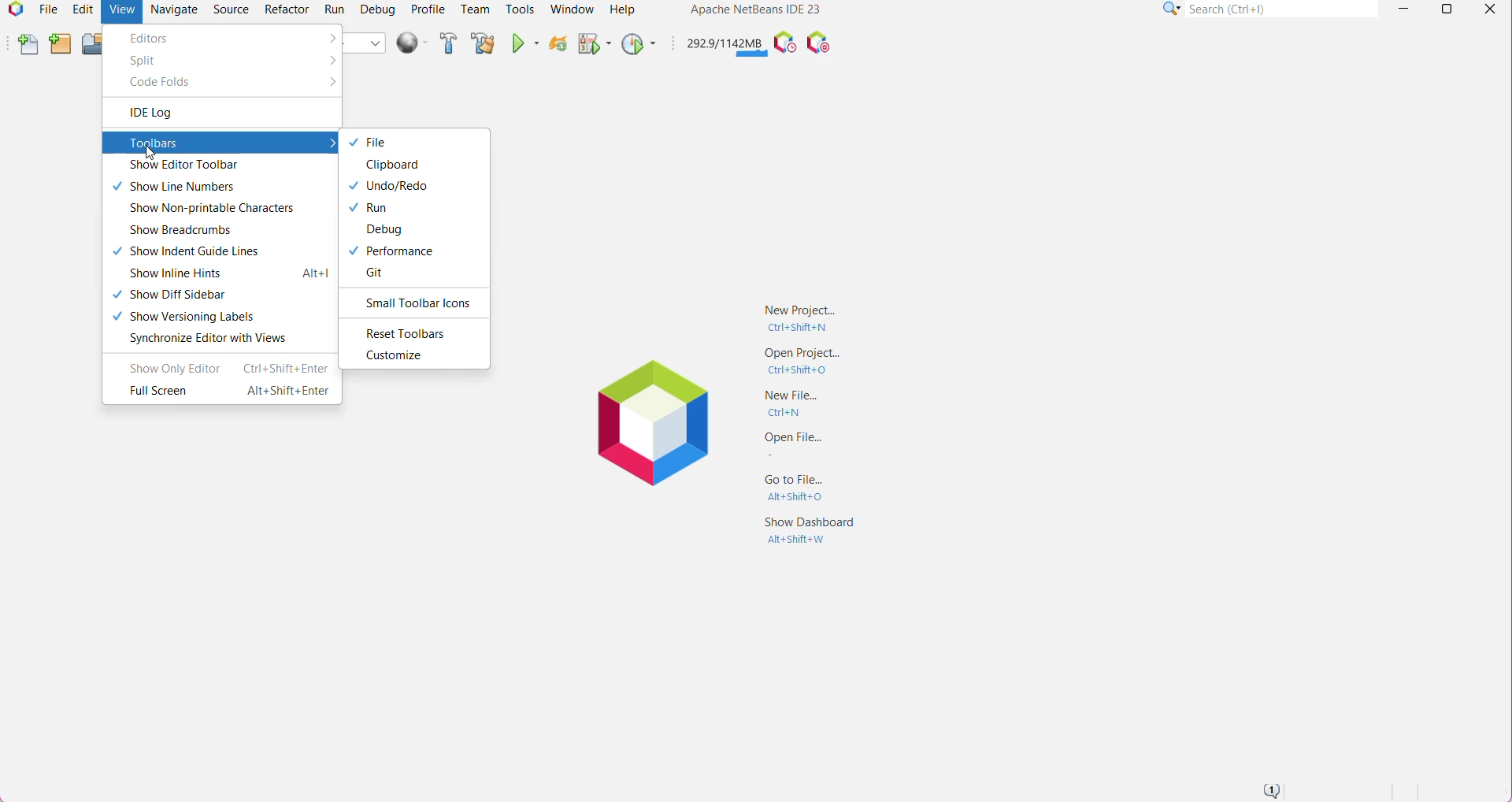 This screenshot has height=802, width=1512. Describe the element at coordinates (401, 252) in the screenshot. I see `Performance` at that location.